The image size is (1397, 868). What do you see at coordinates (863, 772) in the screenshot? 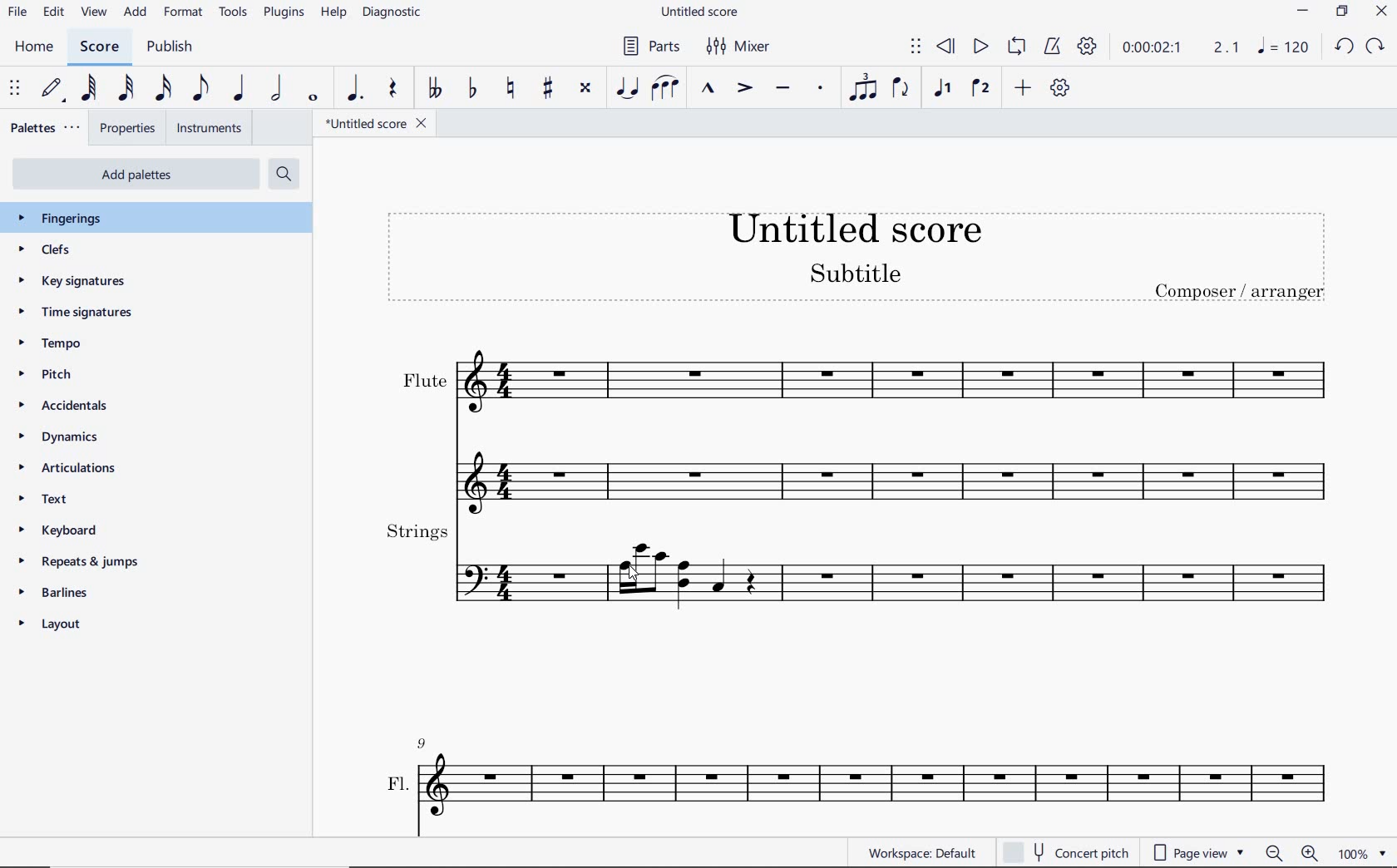
I see `Fl.` at bounding box center [863, 772].